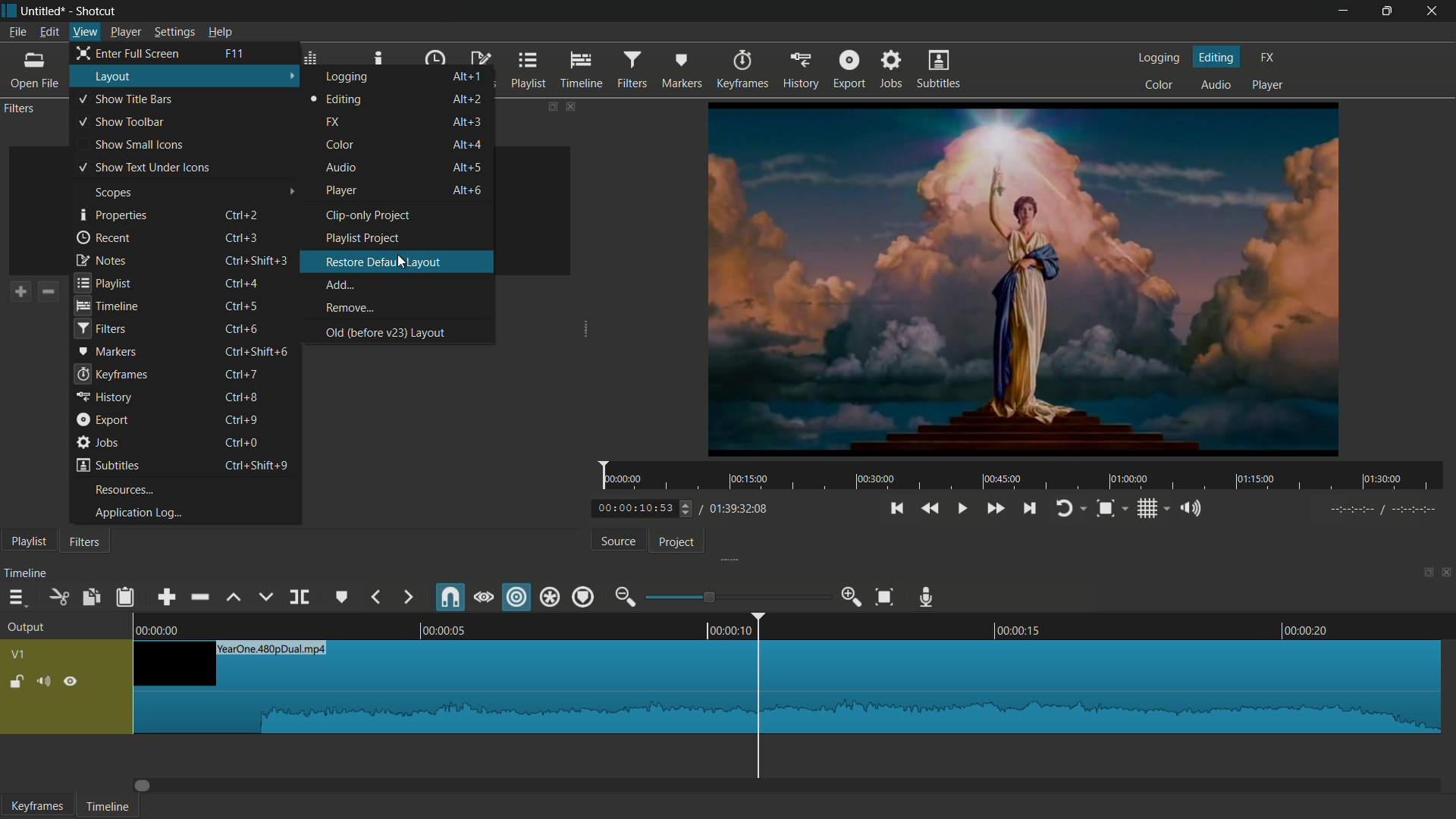 The width and height of the screenshot is (1456, 819). I want to click on player menu, so click(125, 33).